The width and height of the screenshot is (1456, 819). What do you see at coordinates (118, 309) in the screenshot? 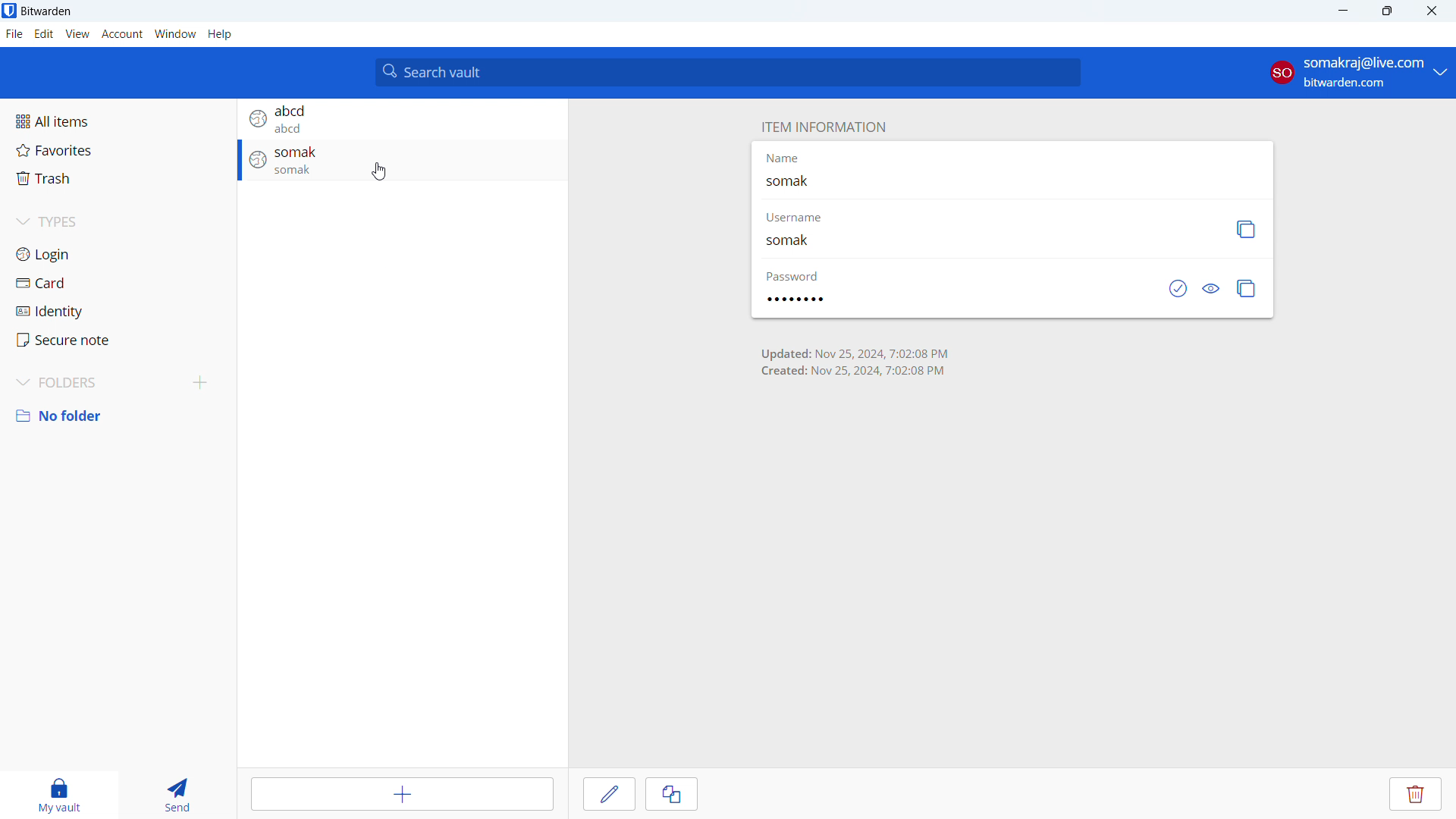
I see `identity` at bounding box center [118, 309].